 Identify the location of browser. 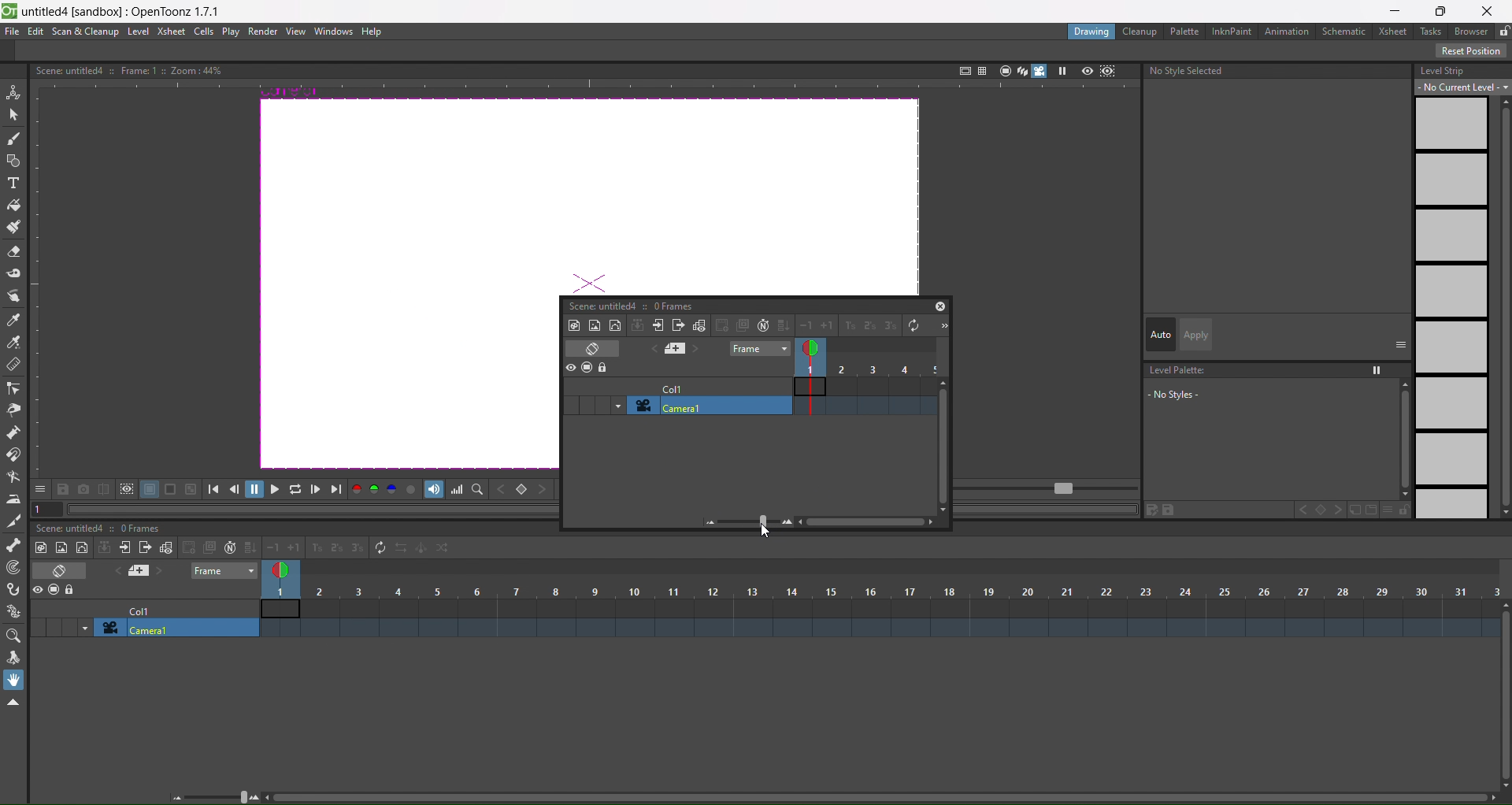
(1471, 32).